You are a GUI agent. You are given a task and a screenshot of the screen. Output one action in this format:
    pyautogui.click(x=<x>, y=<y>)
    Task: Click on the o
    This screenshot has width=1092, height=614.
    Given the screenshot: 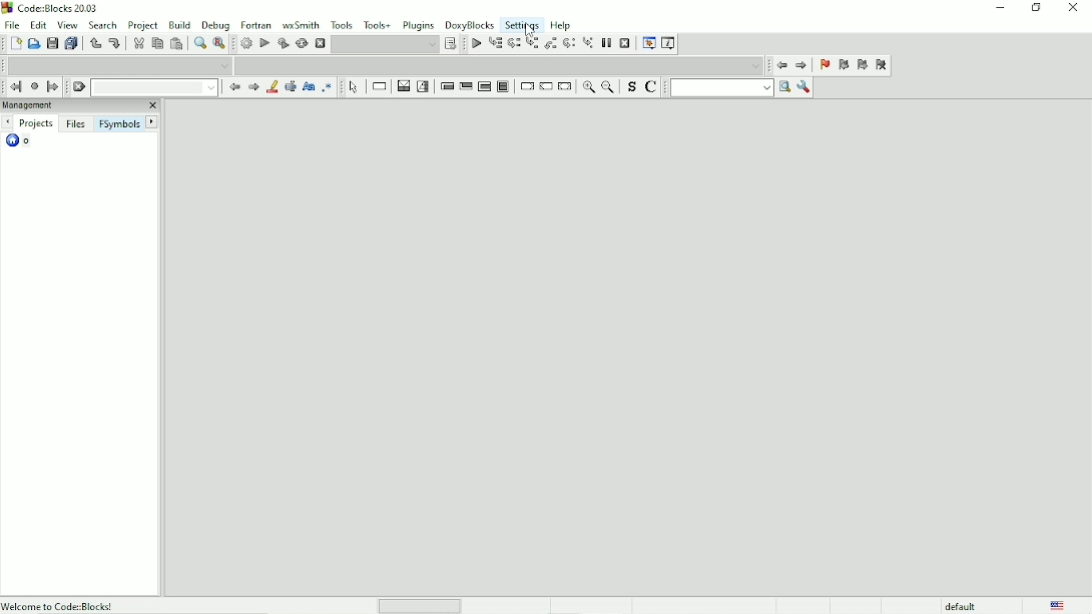 What is the action you would take?
    pyautogui.click(x=27, y=142)
    